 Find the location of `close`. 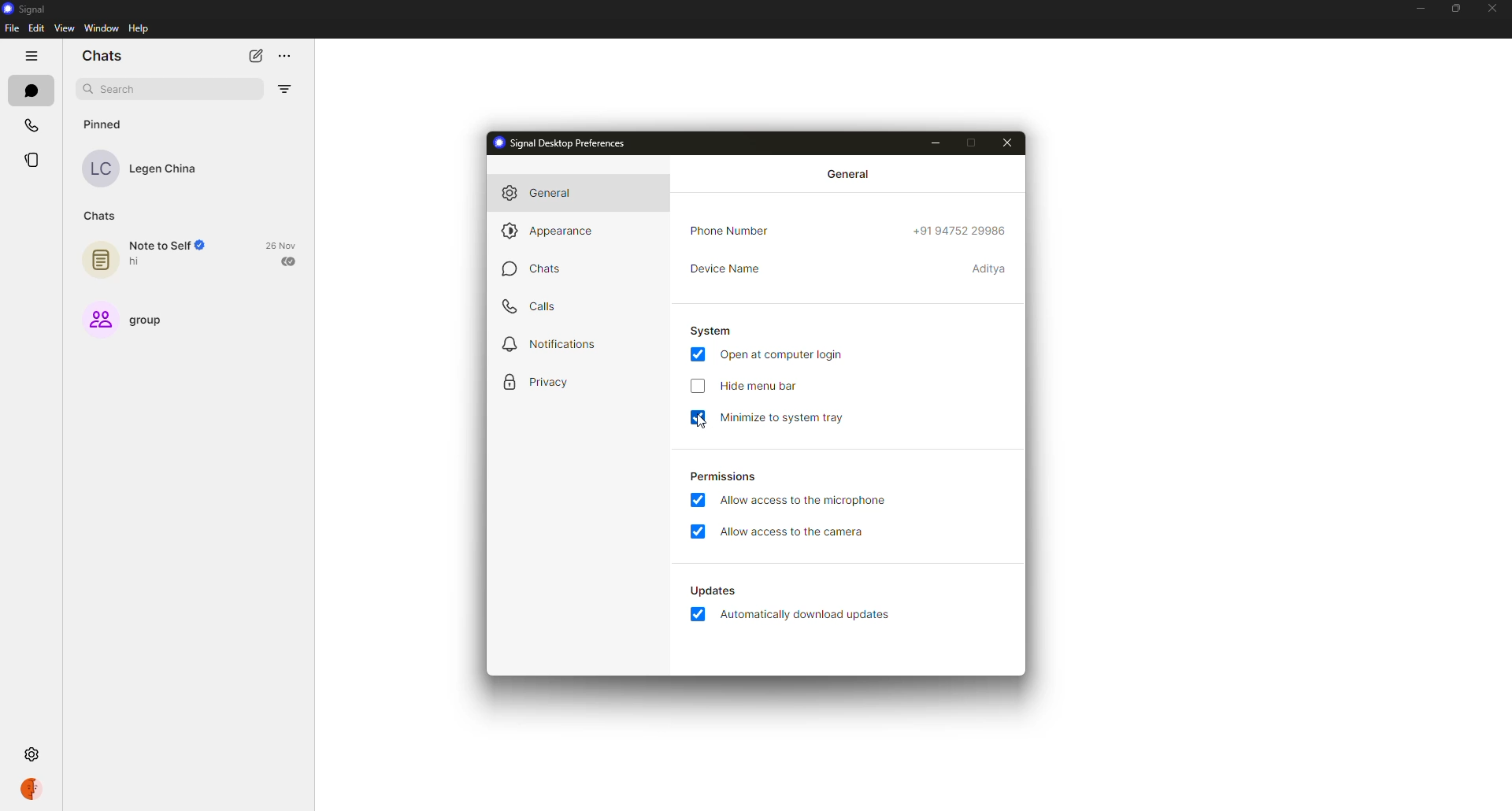

close is located at coordinates (1010, 143).